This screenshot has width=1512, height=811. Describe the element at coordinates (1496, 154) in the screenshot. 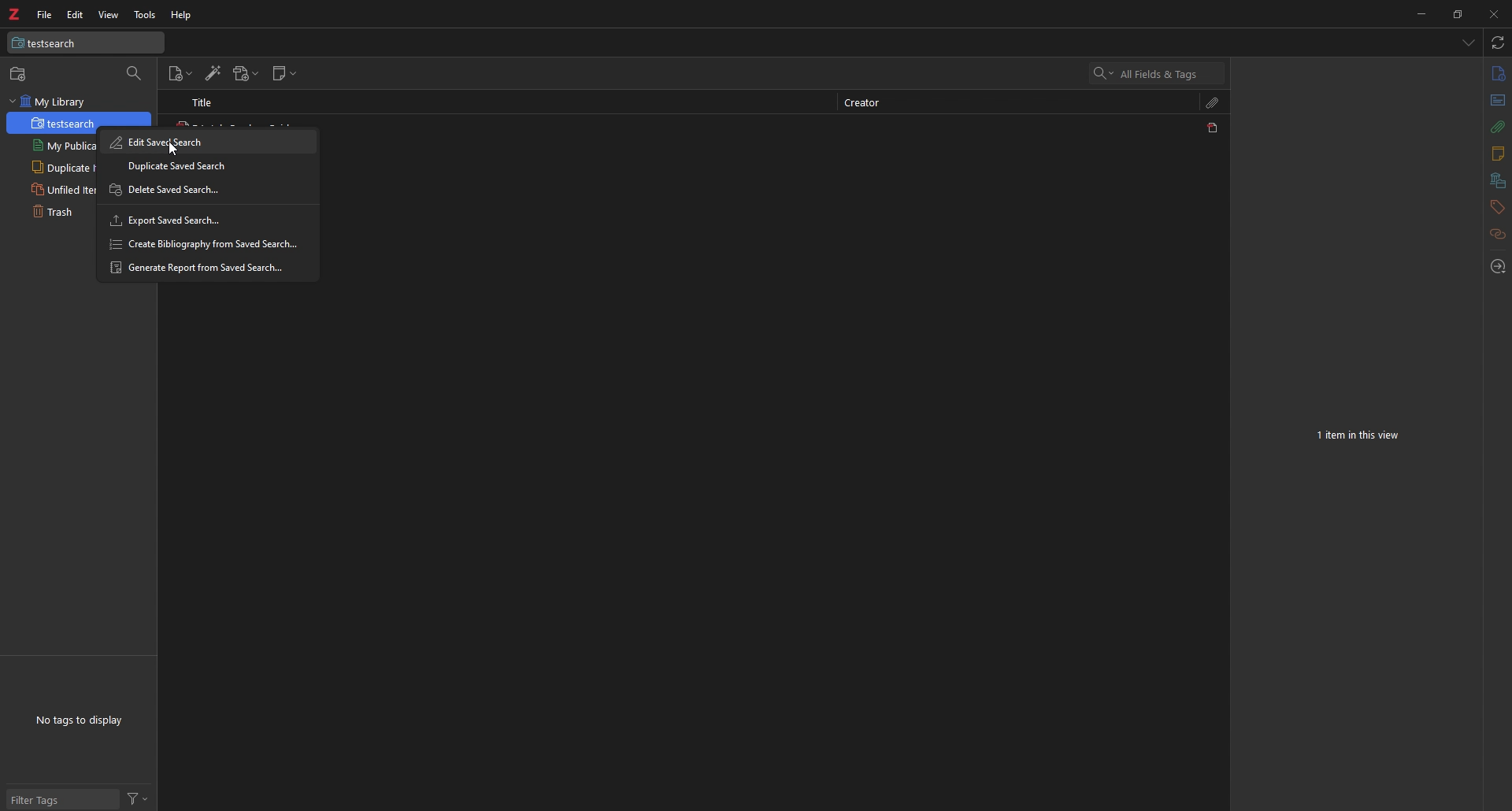

I see `note` at that location.